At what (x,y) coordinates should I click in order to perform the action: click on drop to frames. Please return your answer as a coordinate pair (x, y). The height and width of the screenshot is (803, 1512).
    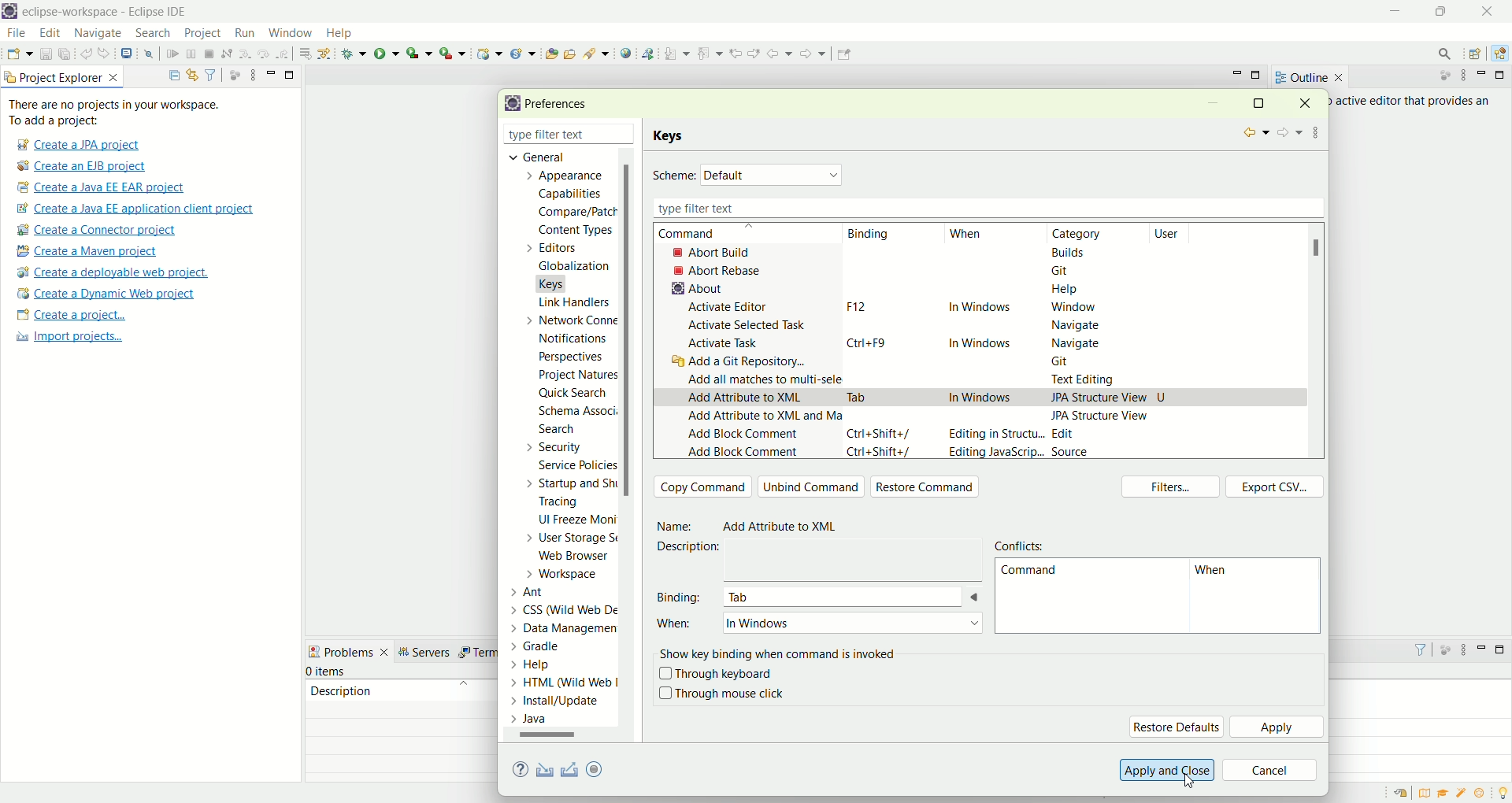
    Looking at the image, I should click on (306, 54).